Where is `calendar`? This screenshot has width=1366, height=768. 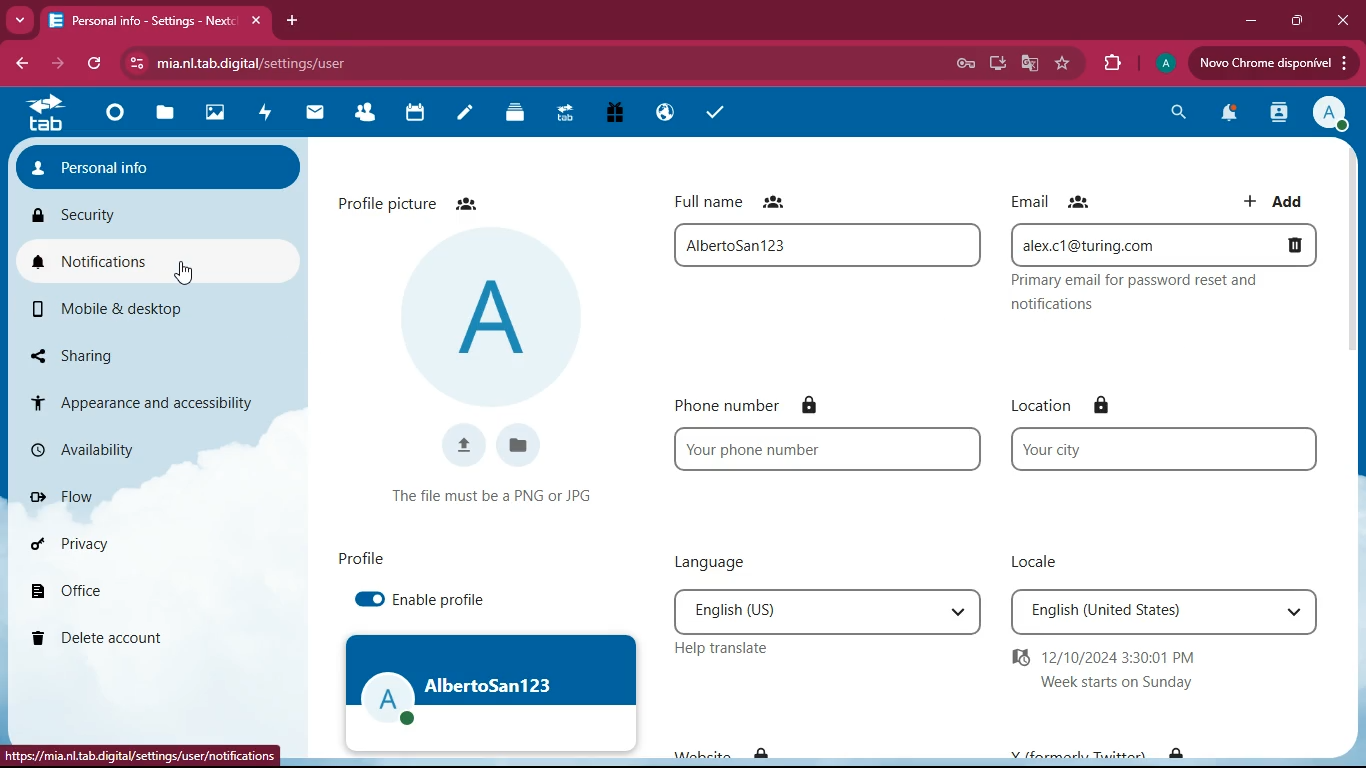
calendar is located at coordinates (417, 115).